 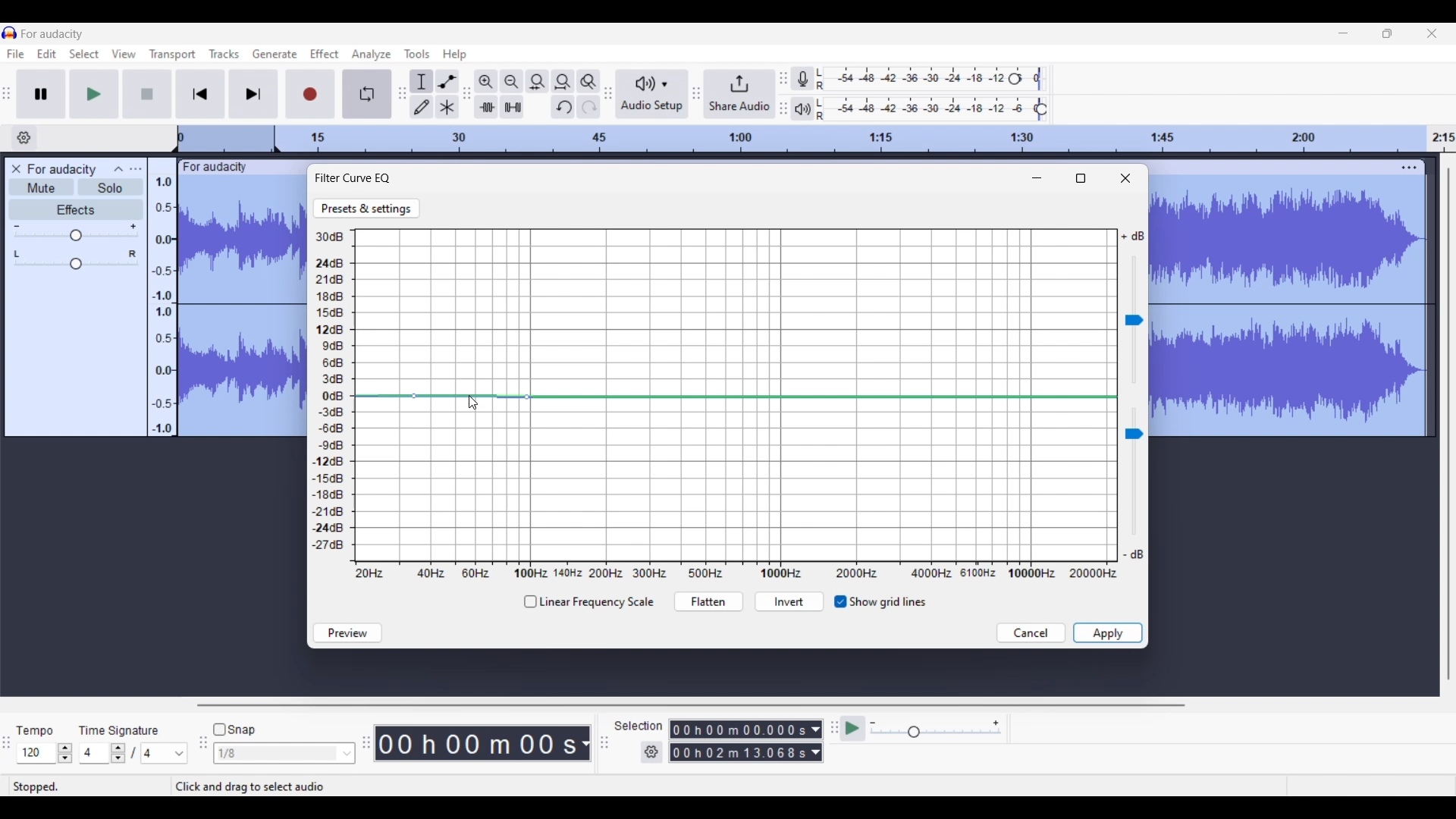 I want to click on Playback meter, so click(x=803, y=109).